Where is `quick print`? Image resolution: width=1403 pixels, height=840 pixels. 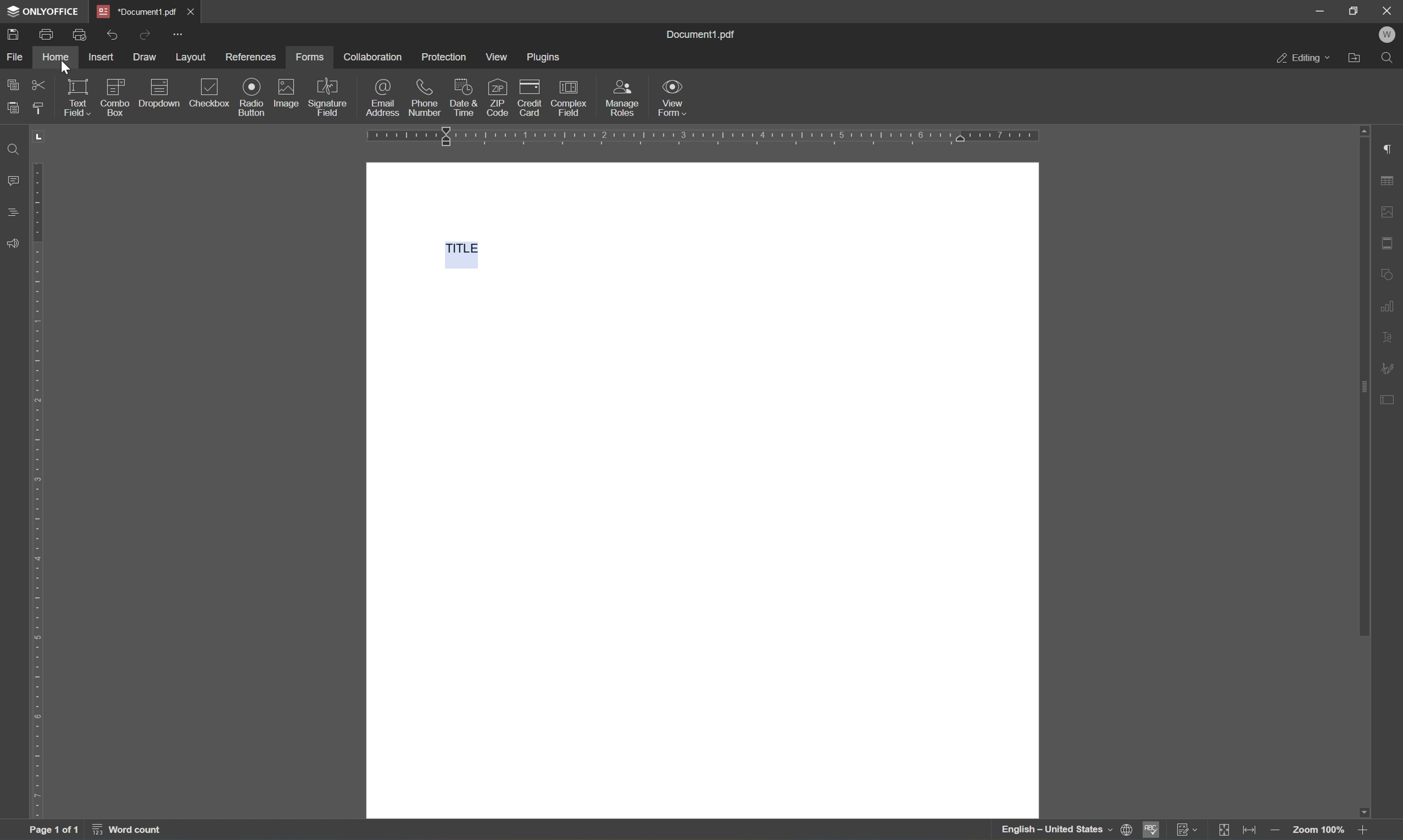 quick print is located at coordinates (79, 35).